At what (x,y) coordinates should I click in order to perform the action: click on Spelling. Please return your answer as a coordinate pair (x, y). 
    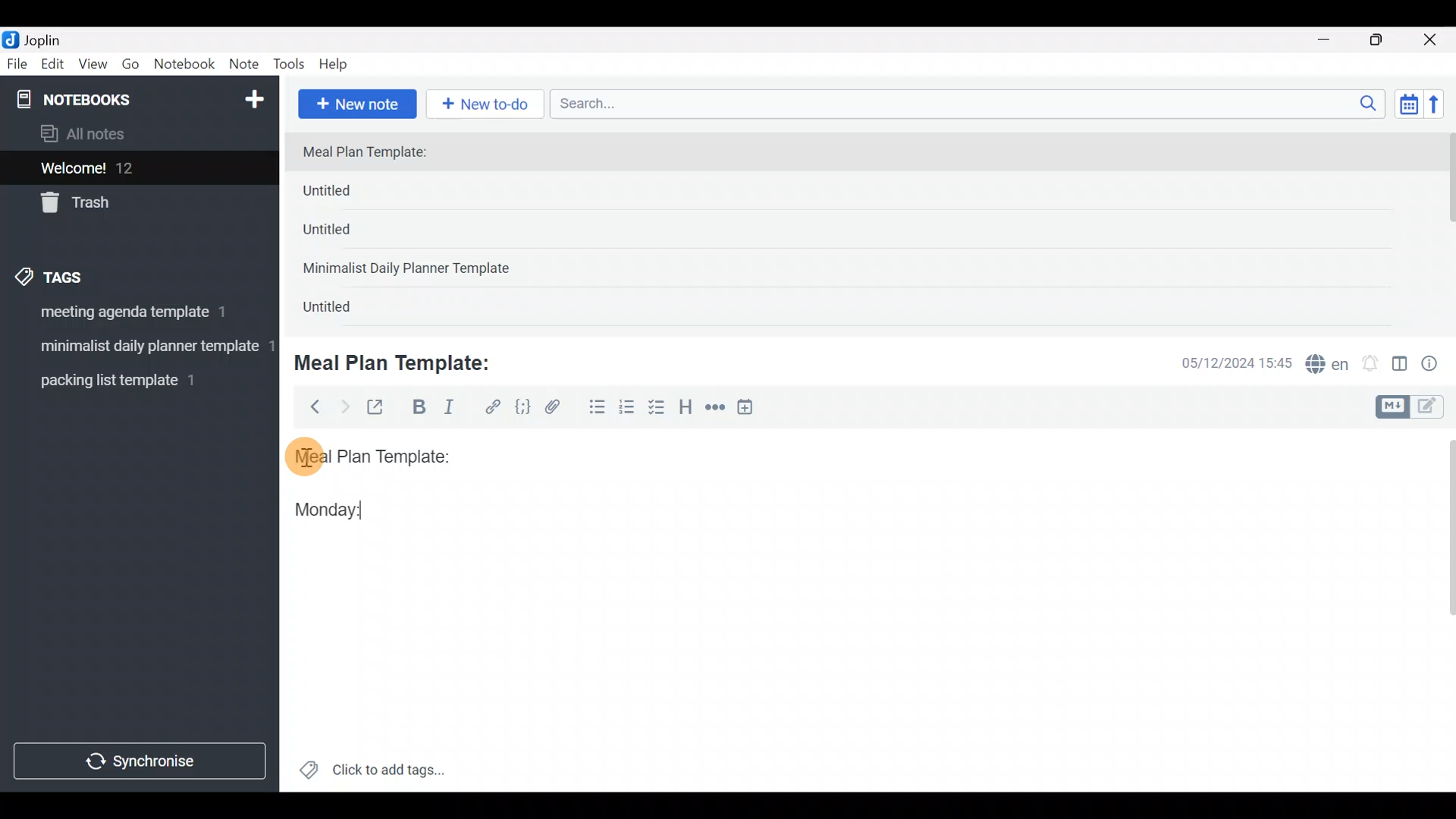
    Looking at the image, I should click on (1328, 366).